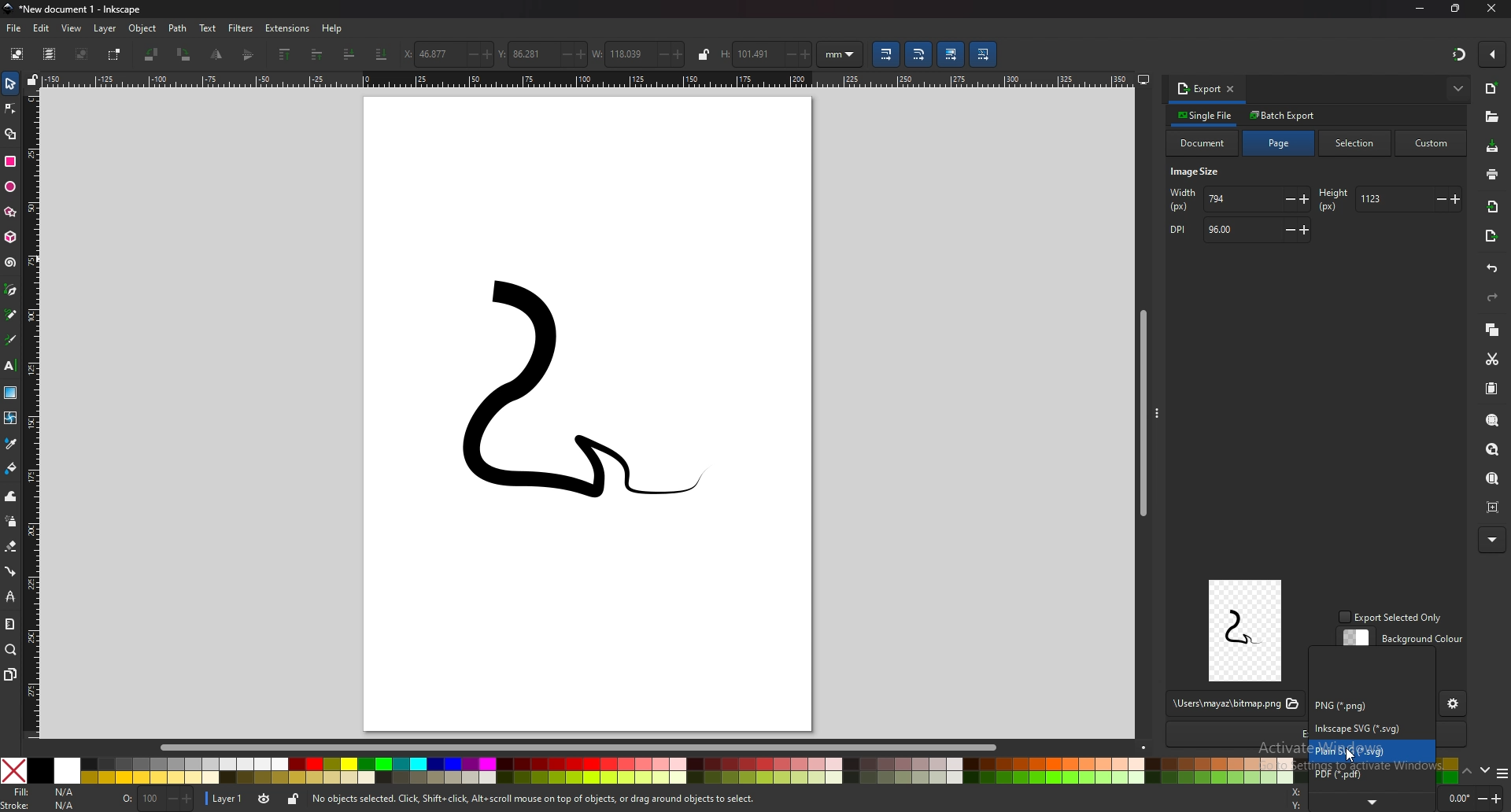 The image size is (1511, 812). What do you see at coordinates (1232, 88) in the screenshot?
I see `close tab` at bounding box center [1232, 88].